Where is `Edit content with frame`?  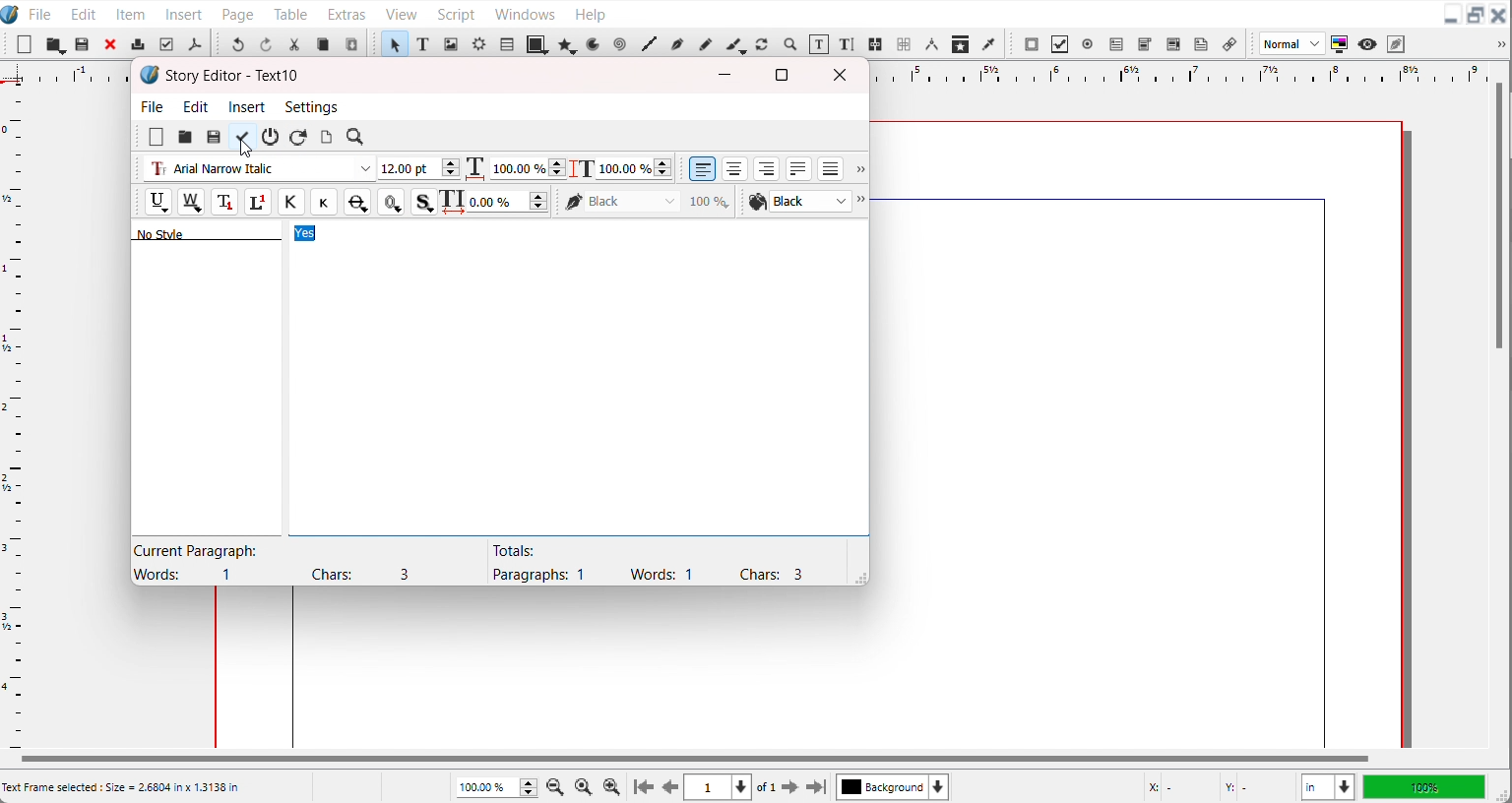
Edit content with frame is located at coordinates (819, 44).